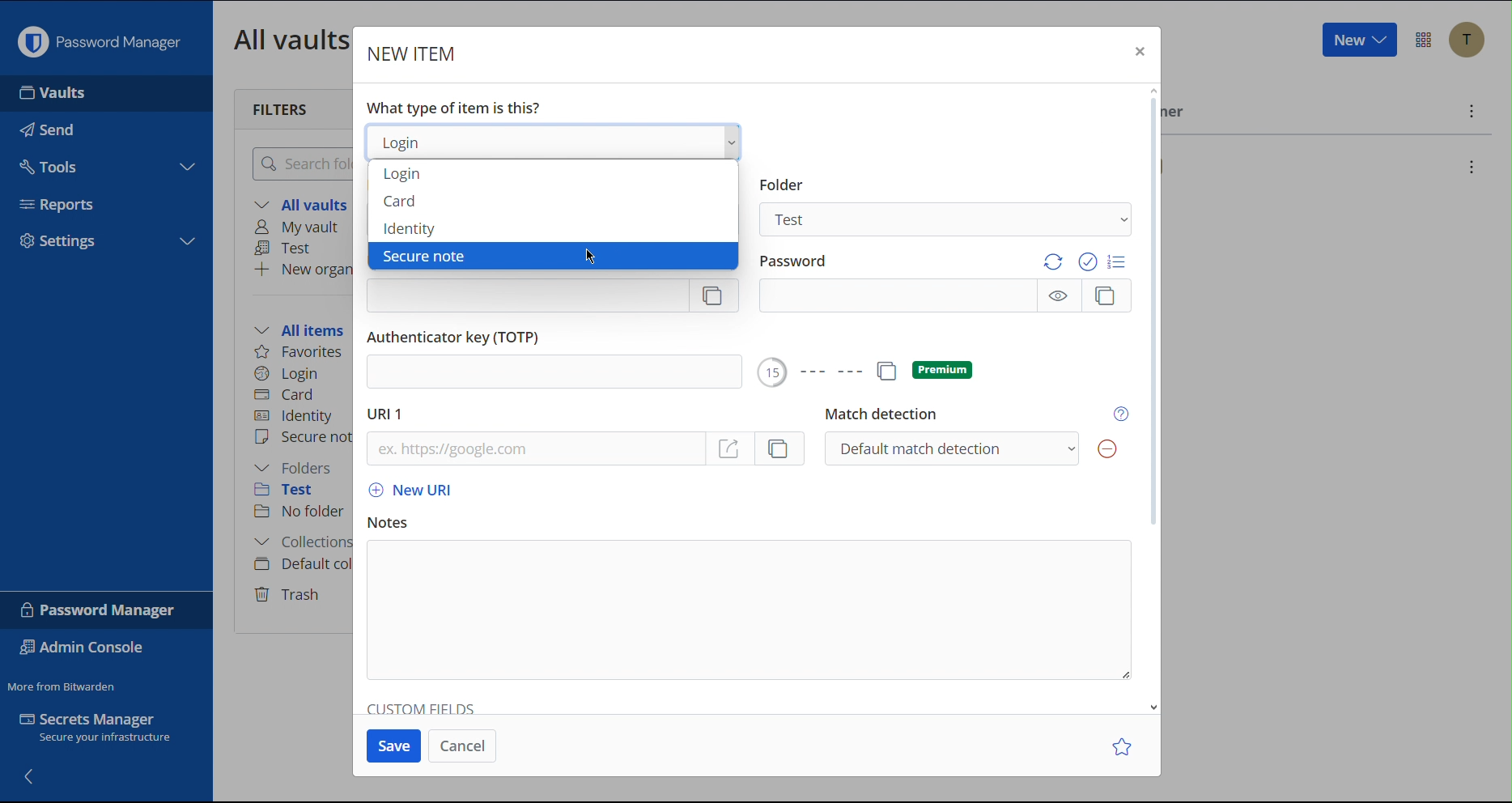 This screenshot has width=1512, height=803. Describe the element at coordinates (885, 371) in the screenshot. I see `copy` at that location.